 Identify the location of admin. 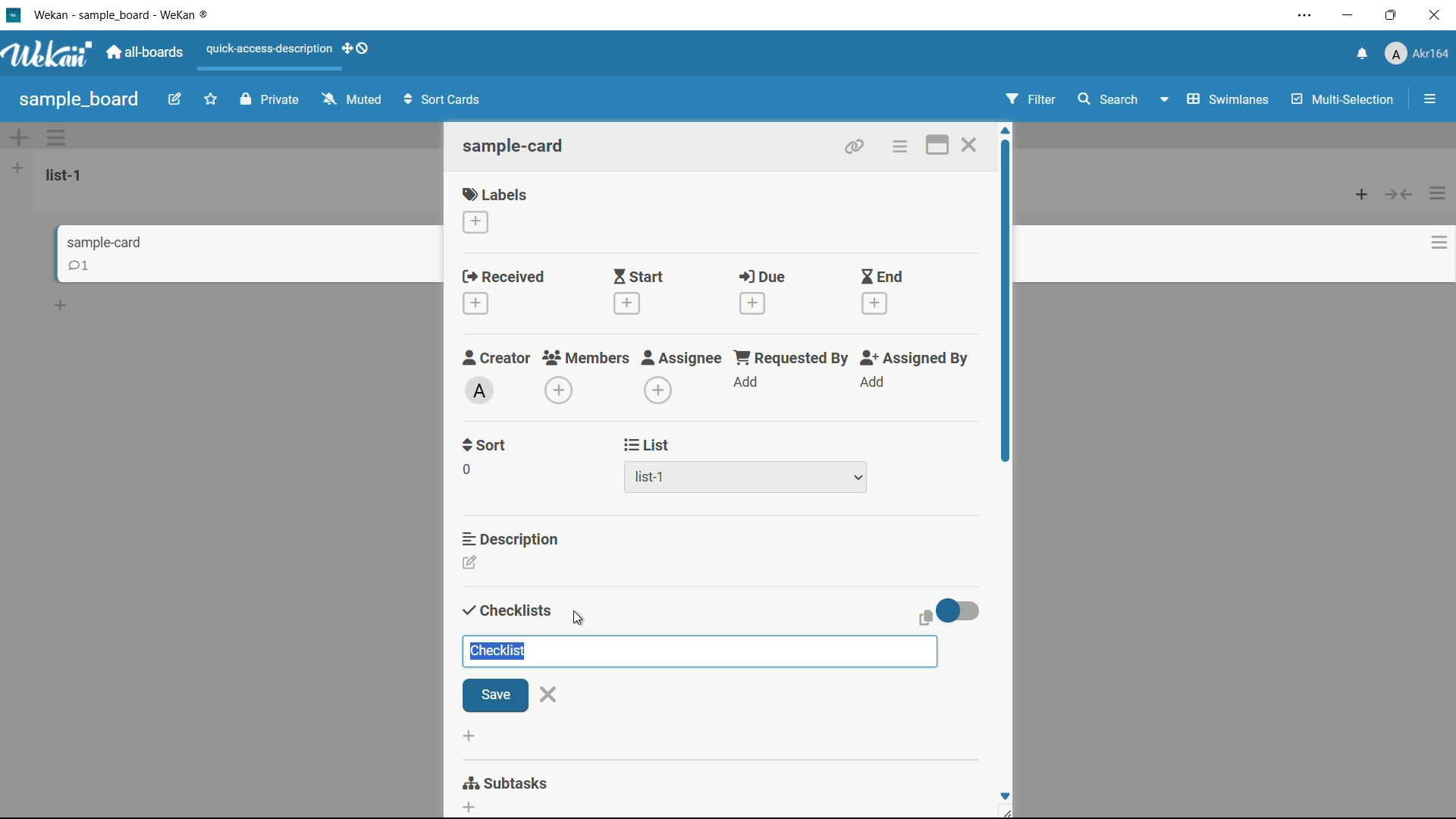
(479, 391).